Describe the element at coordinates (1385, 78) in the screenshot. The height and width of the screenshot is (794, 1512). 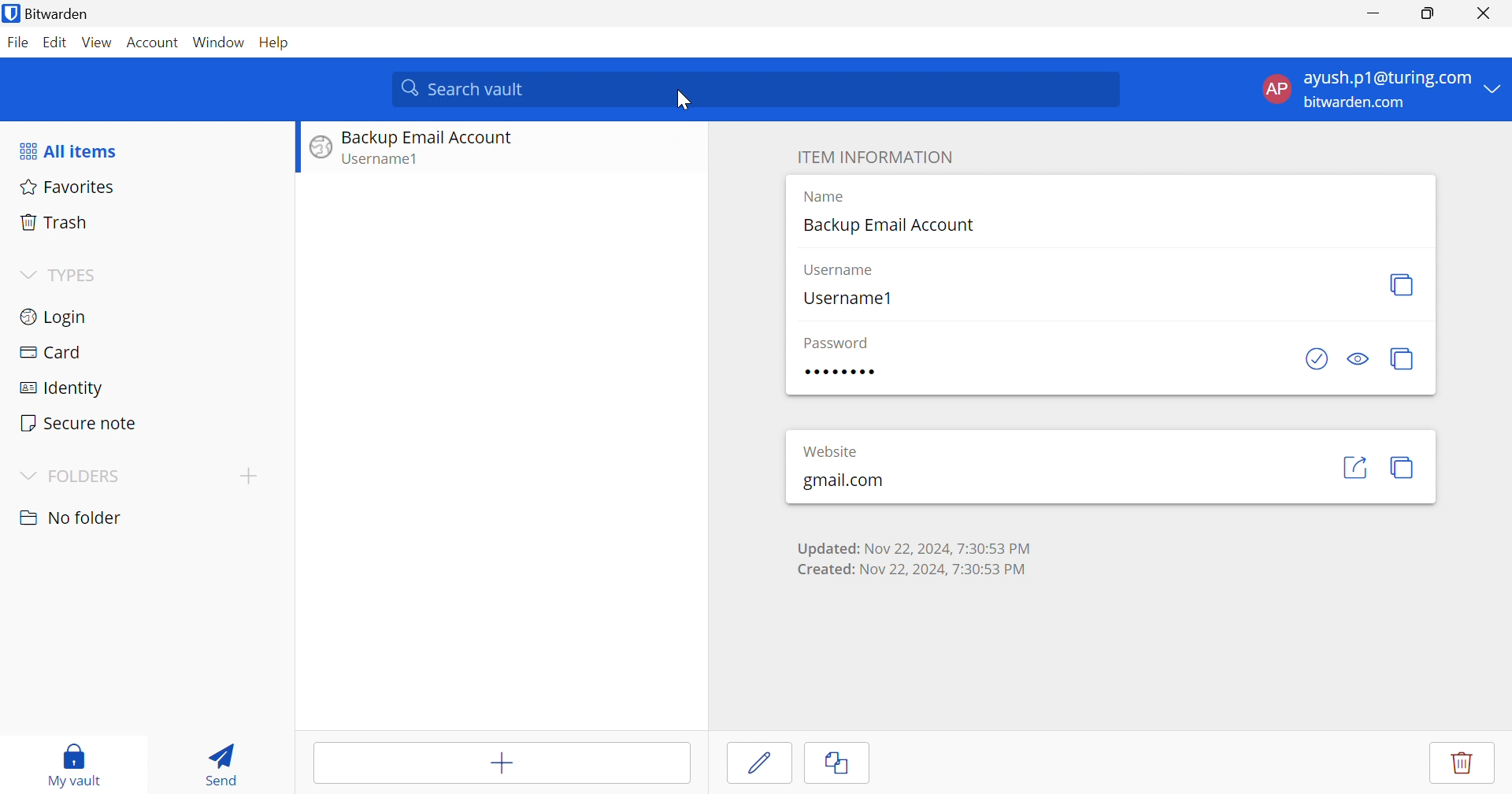
I see `ayush.p1@gmail.com` at that location.